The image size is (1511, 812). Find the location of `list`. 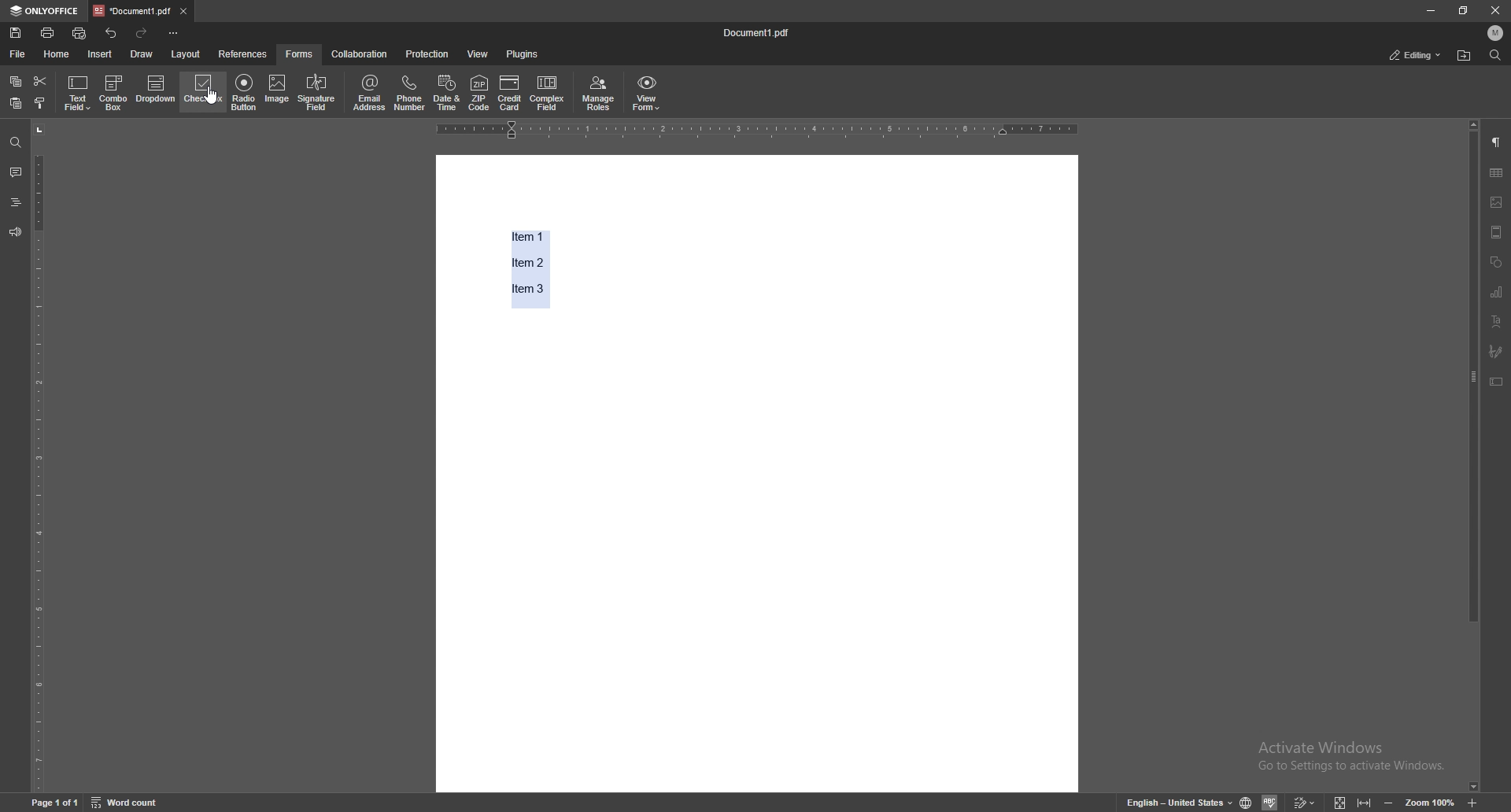

list is located at coordinates (533, 267).